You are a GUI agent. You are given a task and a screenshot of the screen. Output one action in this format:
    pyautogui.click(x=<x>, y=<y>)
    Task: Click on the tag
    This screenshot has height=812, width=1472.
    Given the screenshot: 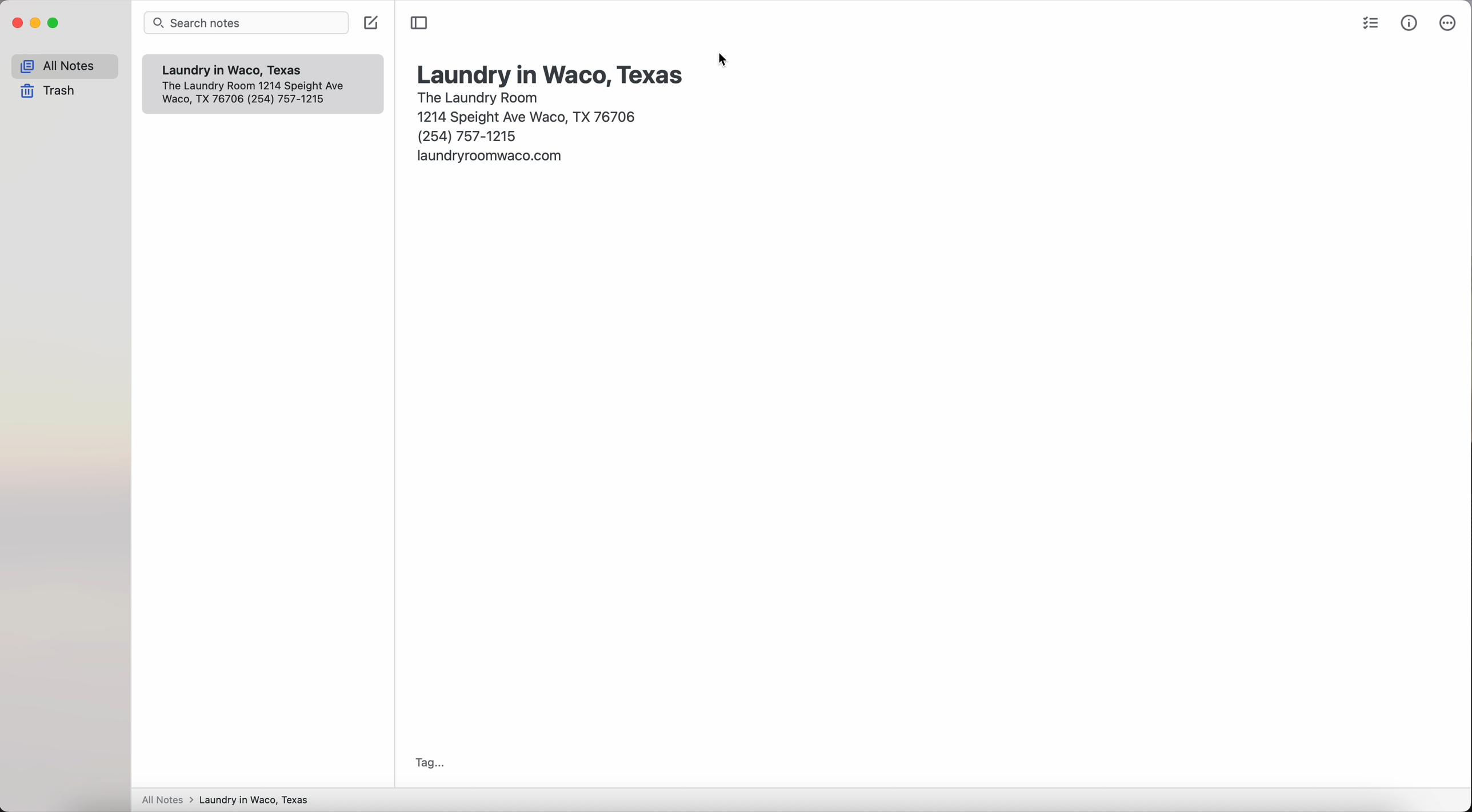 What is the action you would take?
    pyautogui.click(x=426, y=763)
    